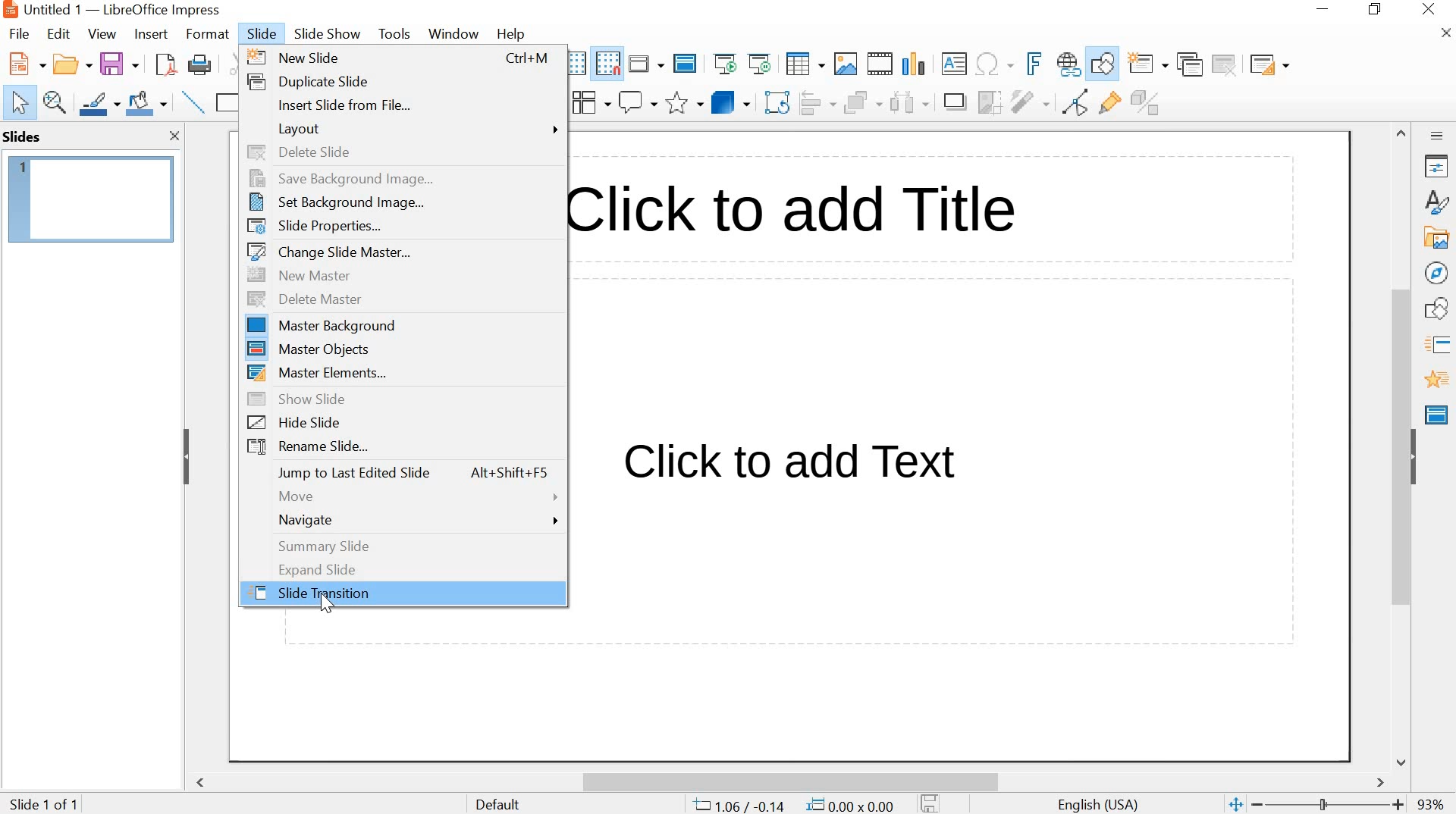 Image resolution: width=1456 pixels, height=814 pixels. Describe the element at coordinates (187, 459) in the screenshot. I see `HIDE` at that location.